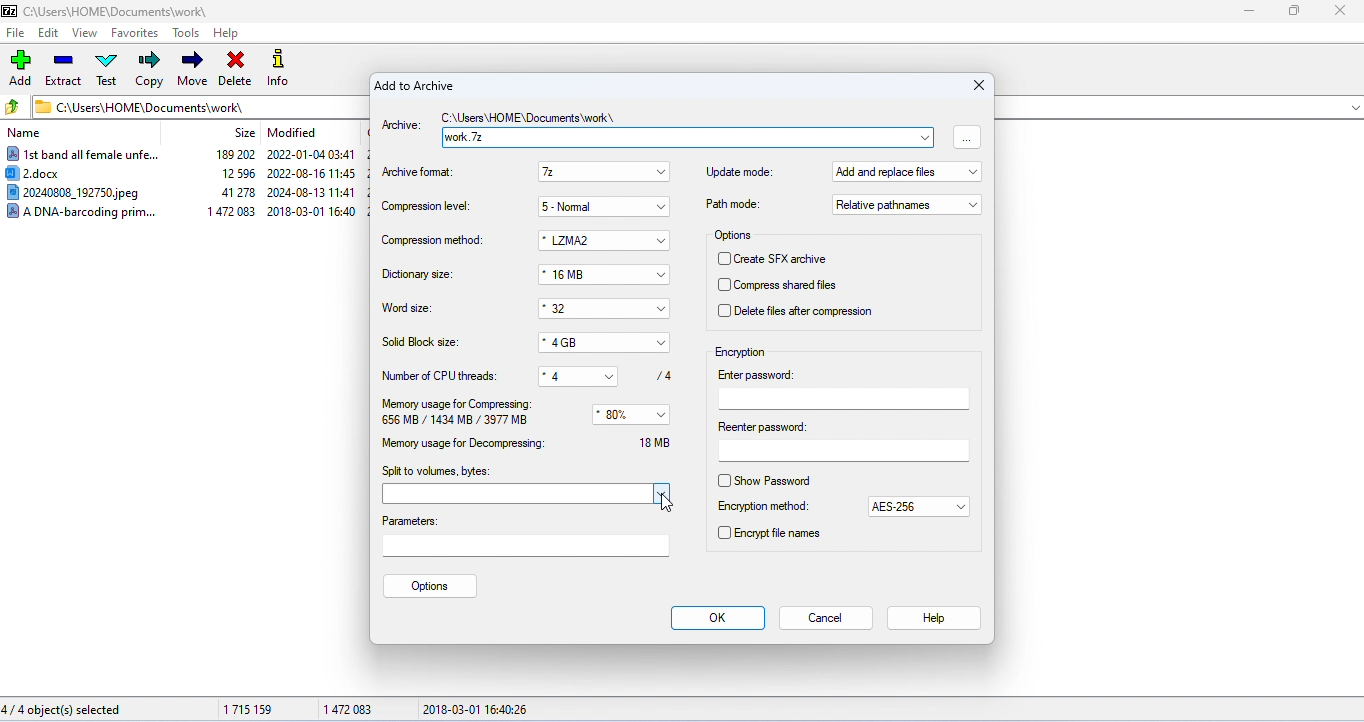  What do you see at coordinates (436, 471) in the screenshot?
I see `split to volumes. bytes: ` at bounding box center [436, 471].